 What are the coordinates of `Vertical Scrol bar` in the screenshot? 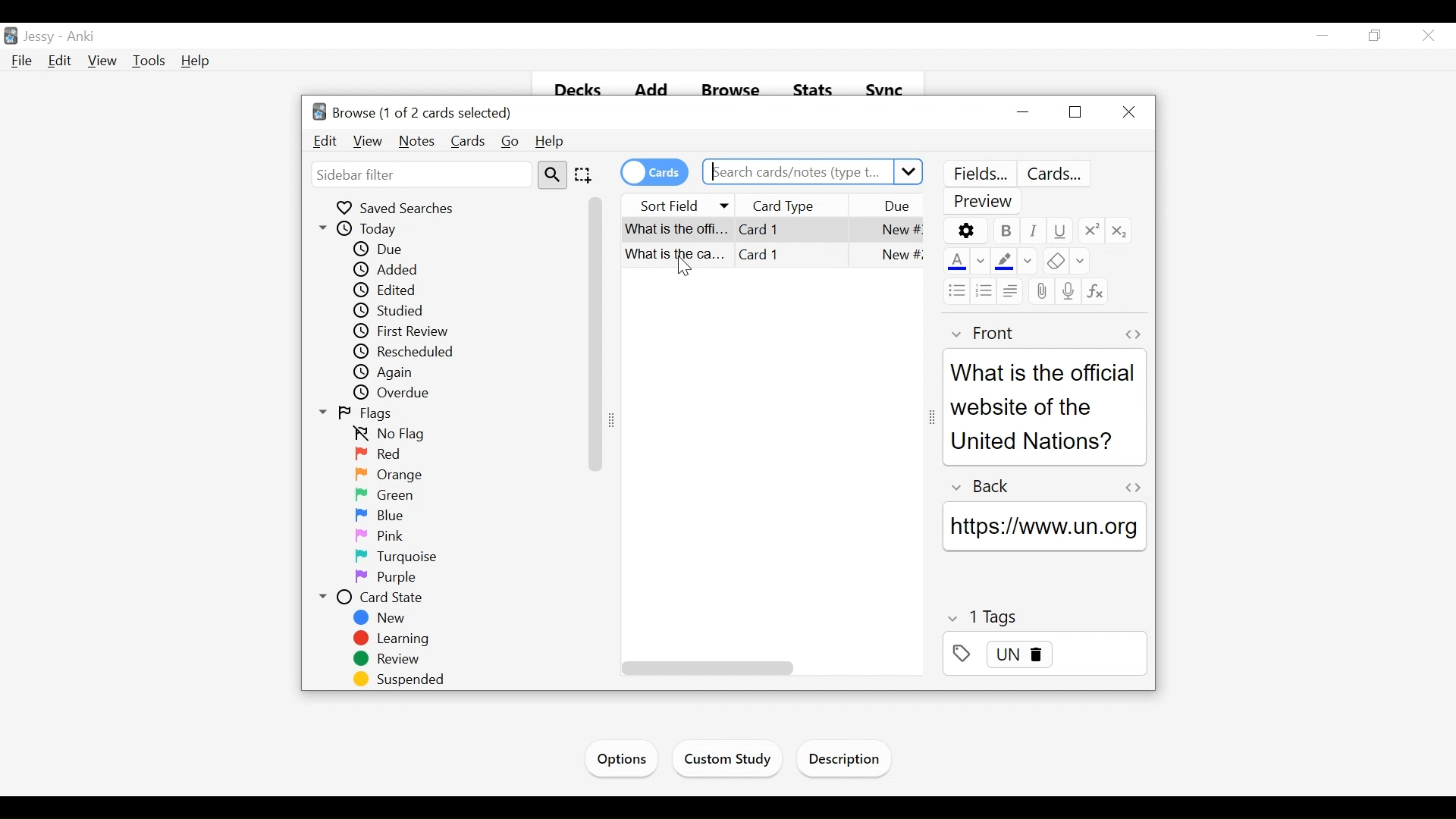 It's located at (596, 333).